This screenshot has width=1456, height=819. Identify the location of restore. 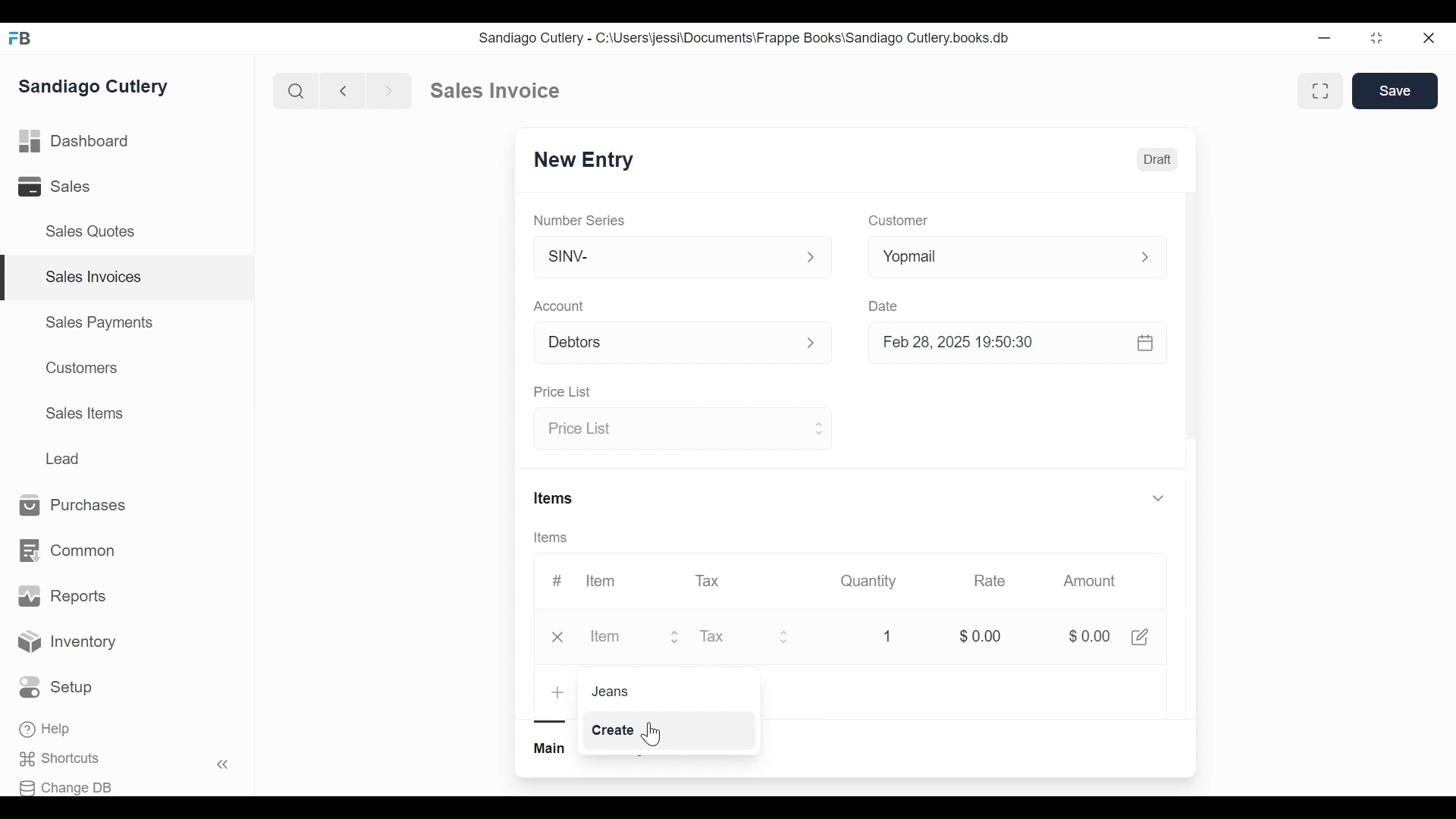
(1376, 37).